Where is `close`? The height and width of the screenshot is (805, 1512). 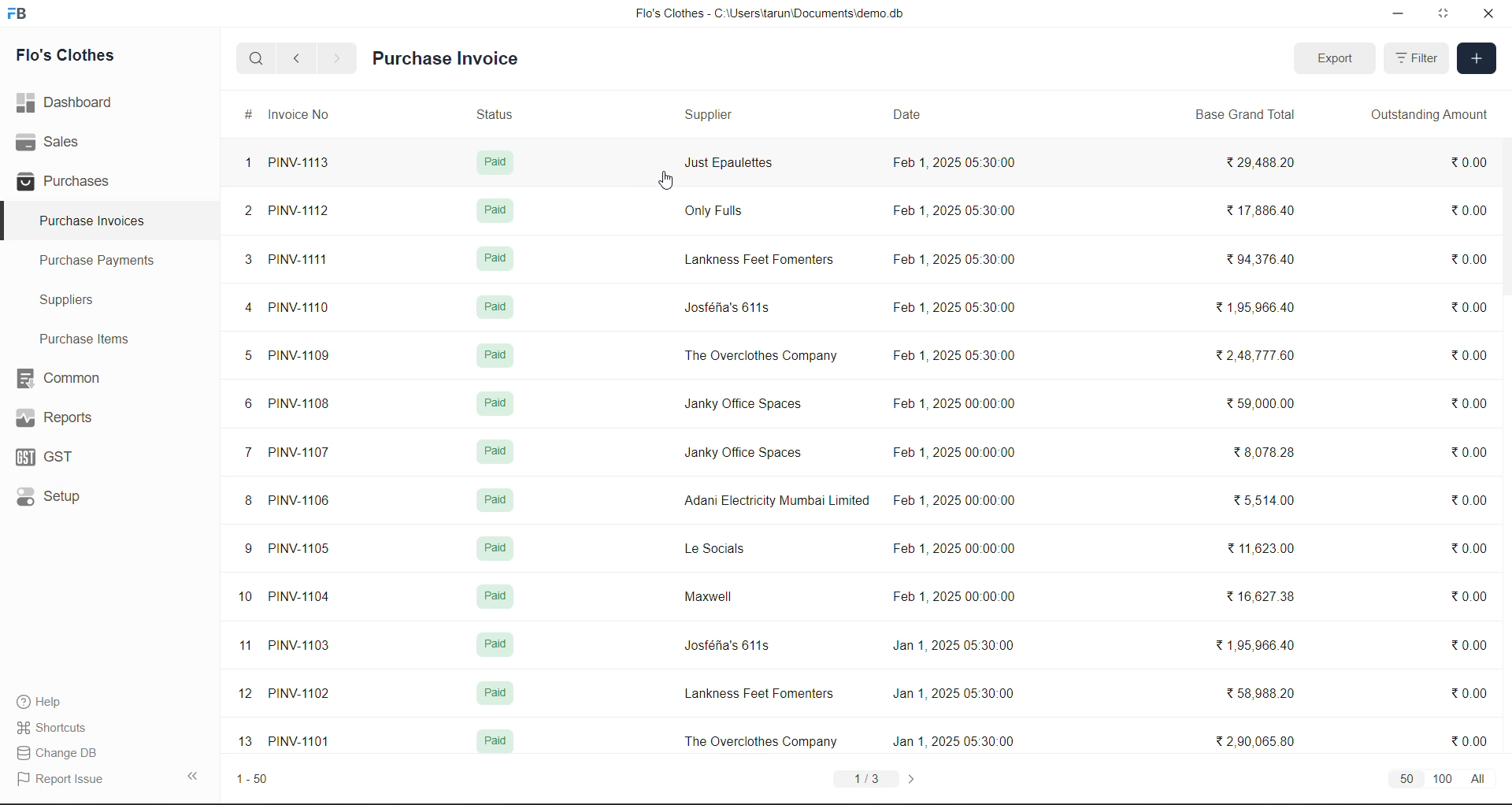 close is located at coordinates (1488, 17).